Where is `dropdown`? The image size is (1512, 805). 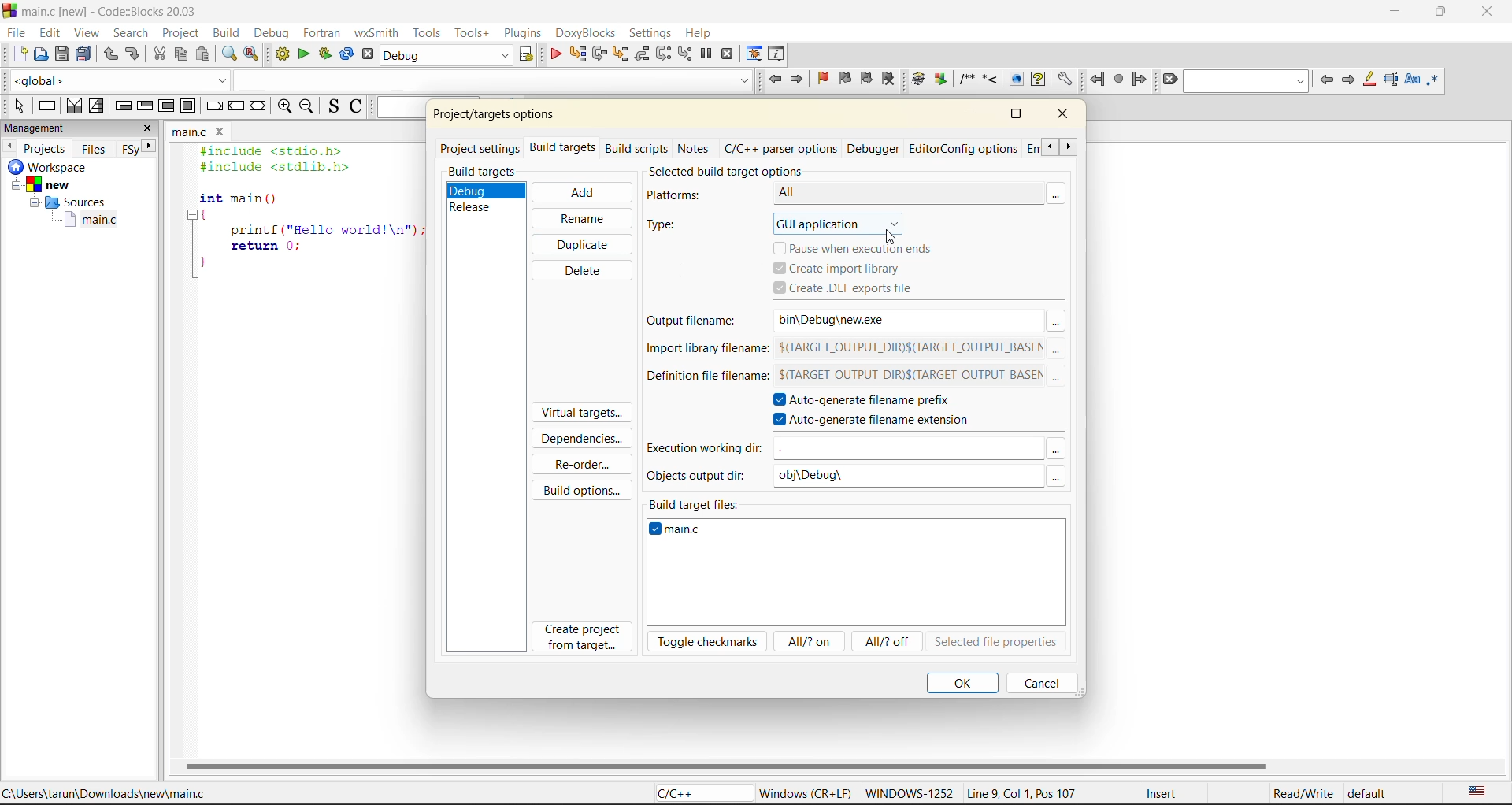 dropdown is located at coordinates (1056, 448).